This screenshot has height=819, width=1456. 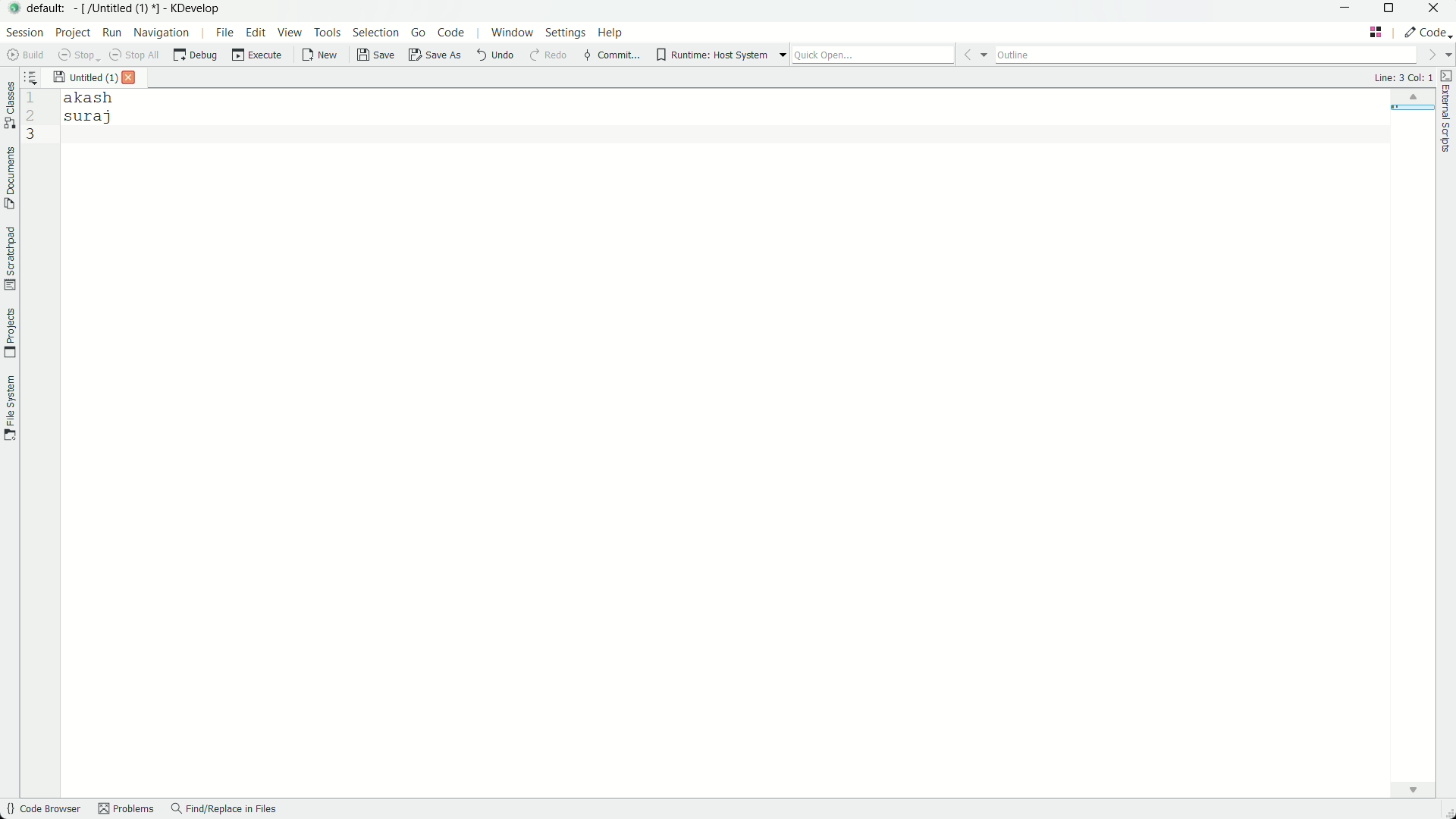 I want to click on view menu, so click(x=290, y=34).